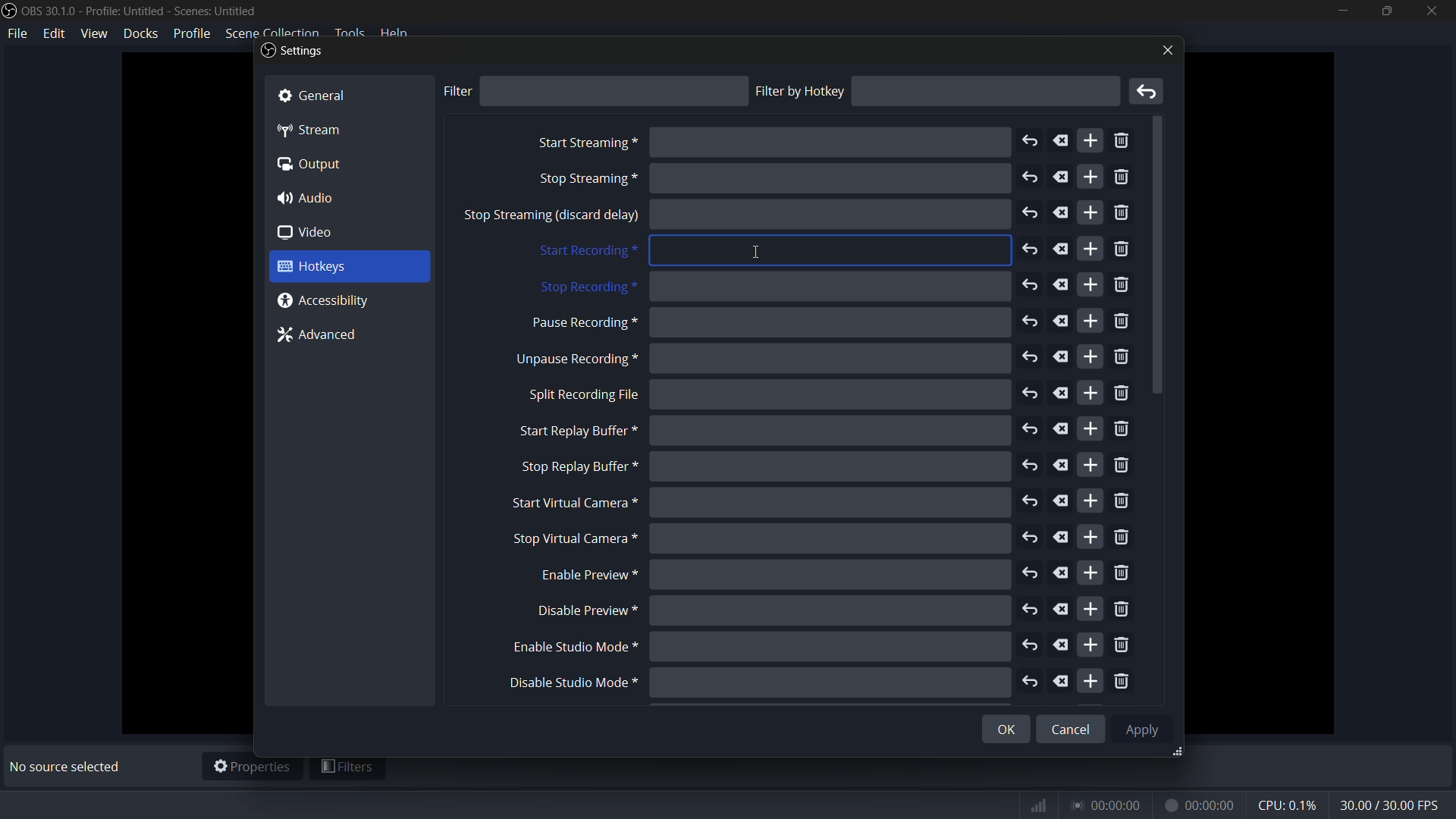 This screenshot has width=1456, height=819. What do you see at coordinates (1122, 287) in the screenshot?
I see `remove` at bounding box center [1122, 287].